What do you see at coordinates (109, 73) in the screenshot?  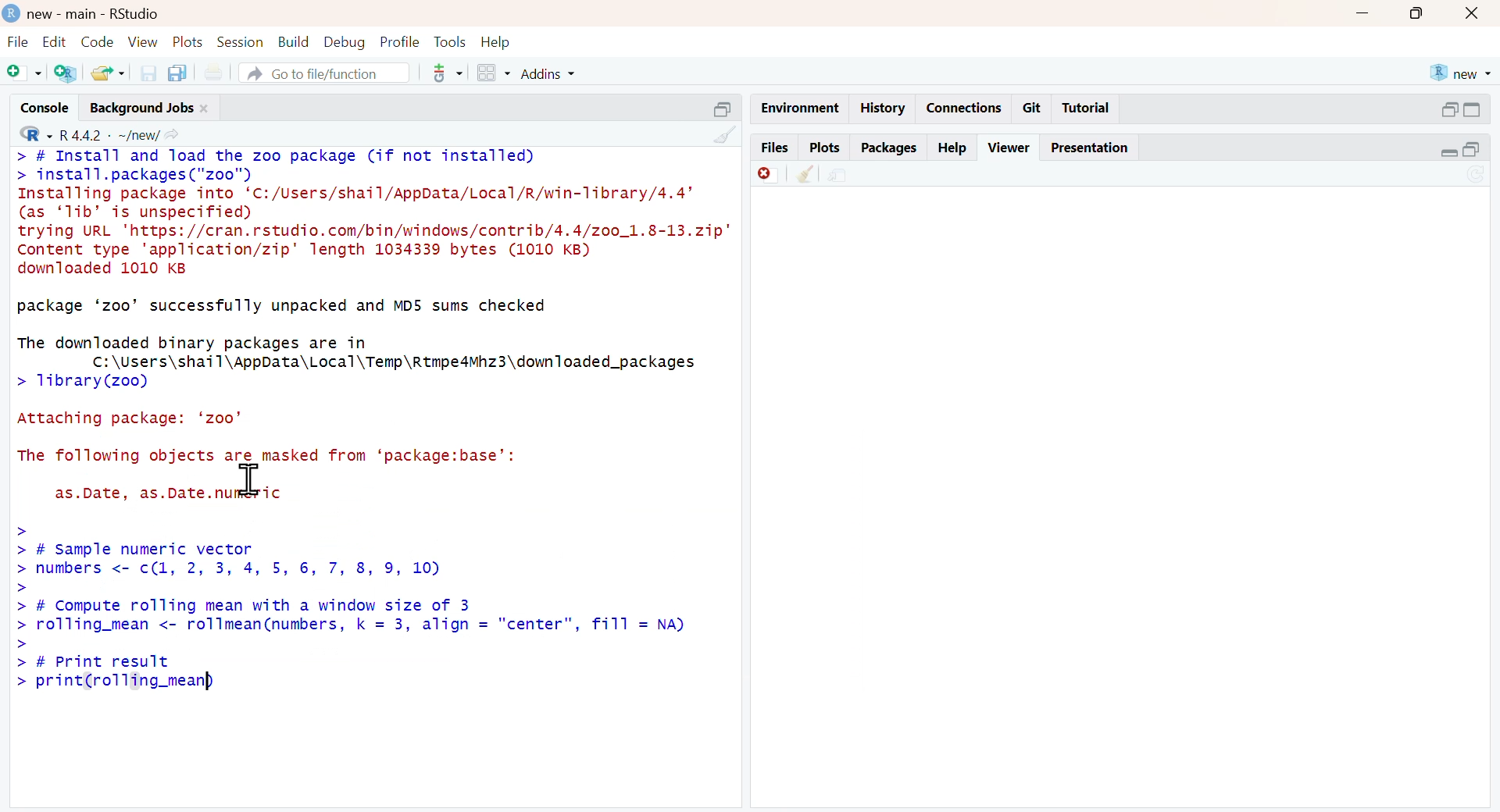 I see `share folder as` at bounding box center [109, 73].